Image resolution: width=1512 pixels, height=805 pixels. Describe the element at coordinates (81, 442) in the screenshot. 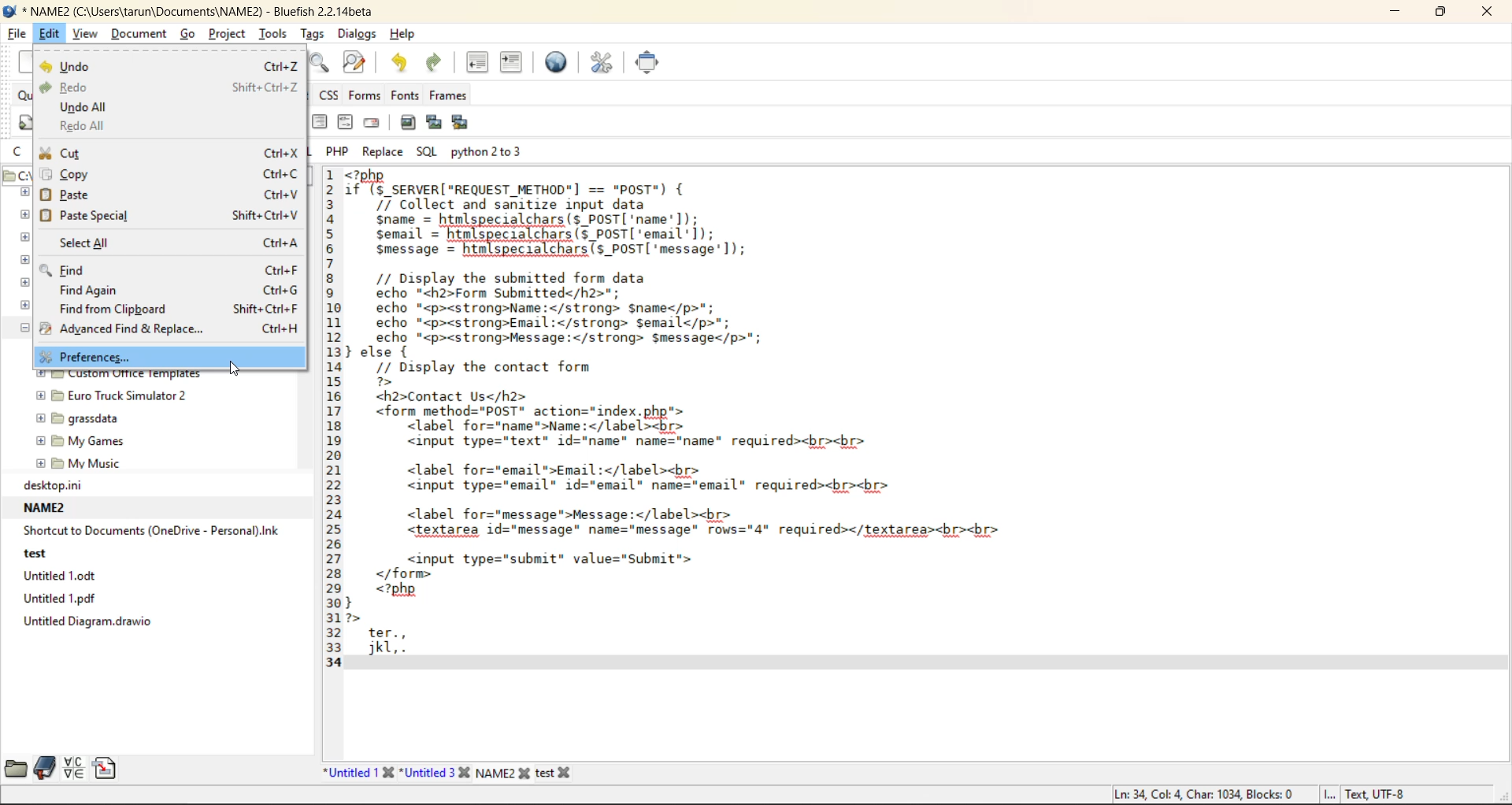

I see `my Games` at that location.